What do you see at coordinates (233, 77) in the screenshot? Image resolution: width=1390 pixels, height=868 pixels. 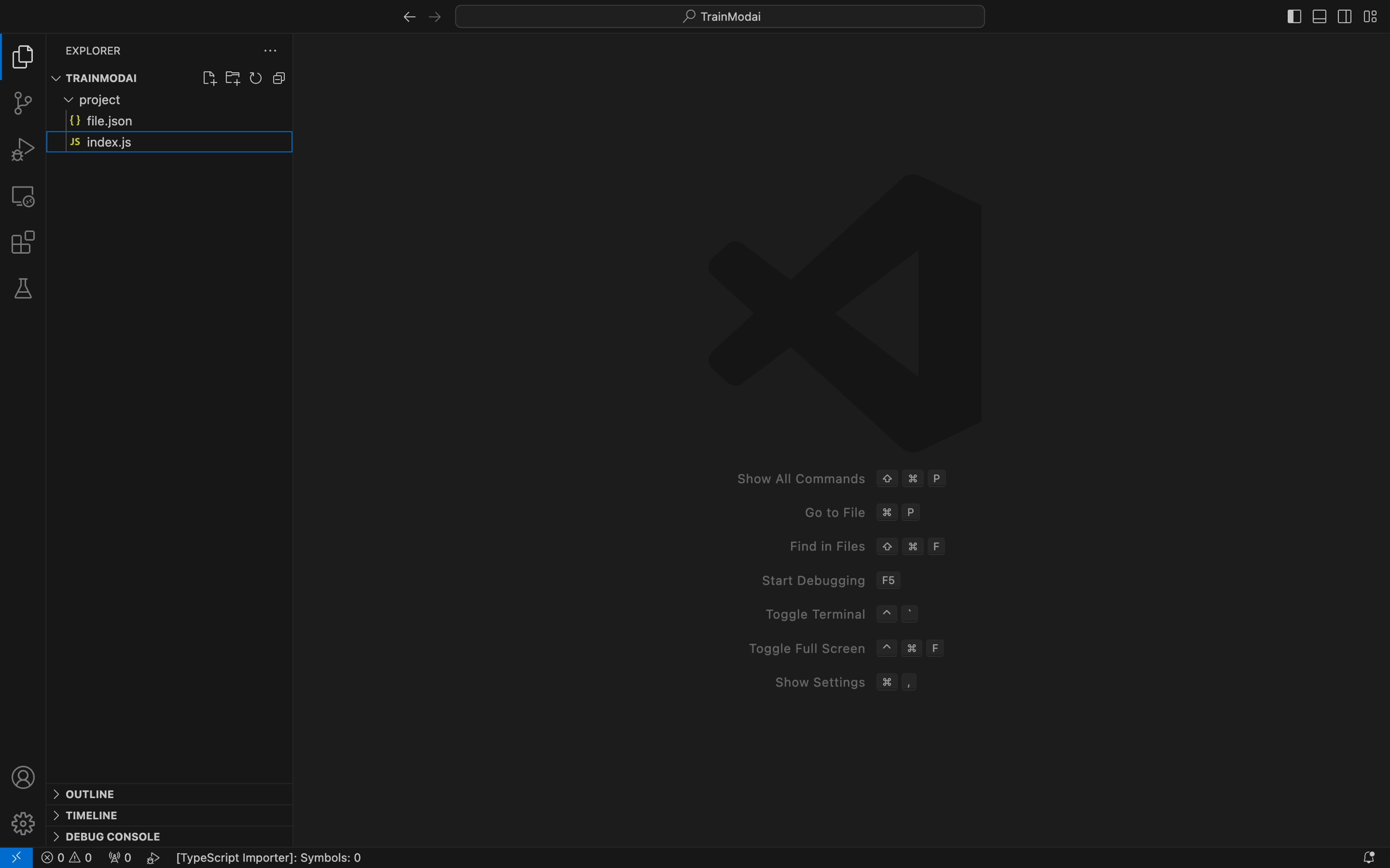 I see `create folder` at bounding box center [233, 77].